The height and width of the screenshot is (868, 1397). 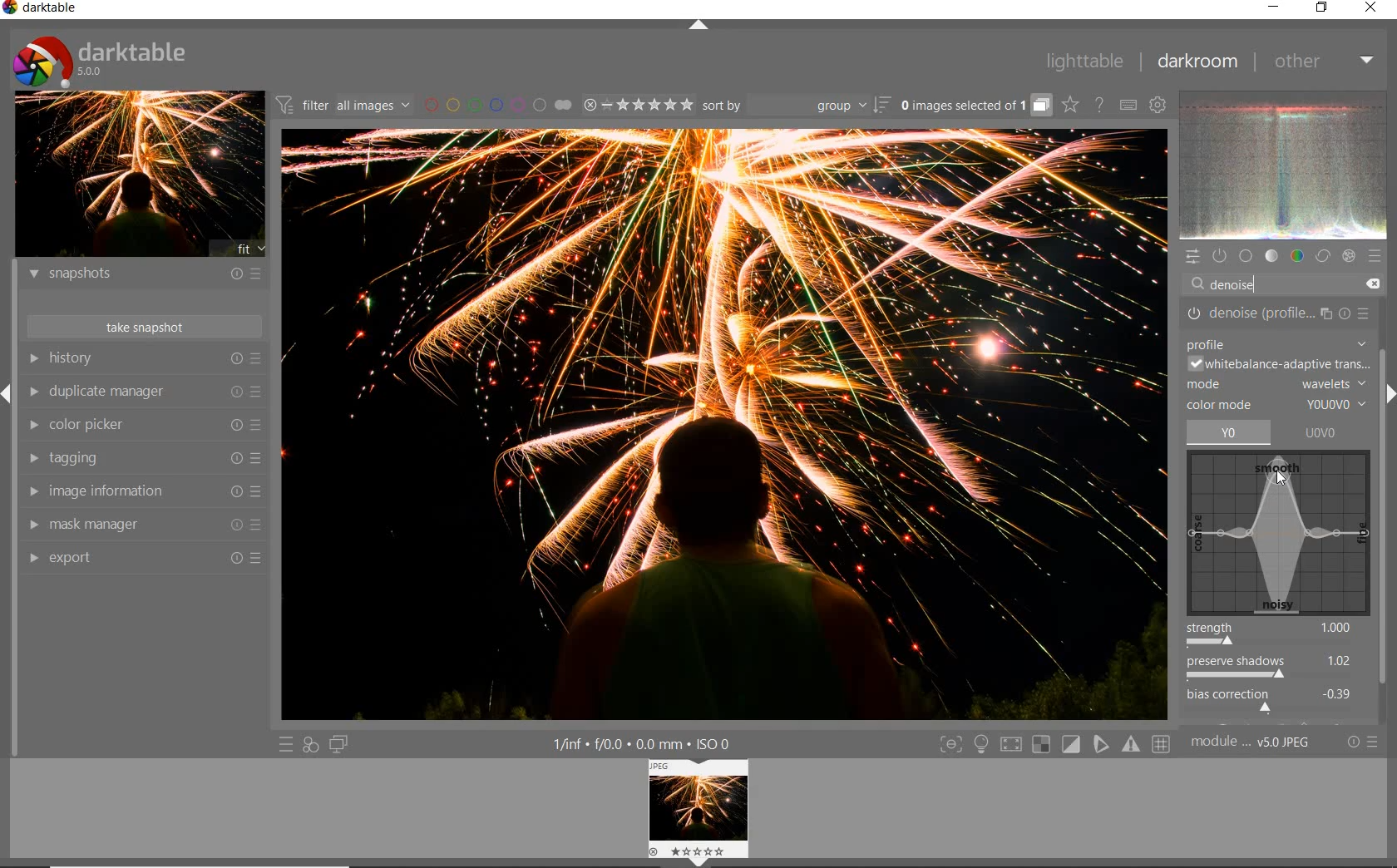 I want to click on DENOISE, so click(x=1234, y=285).